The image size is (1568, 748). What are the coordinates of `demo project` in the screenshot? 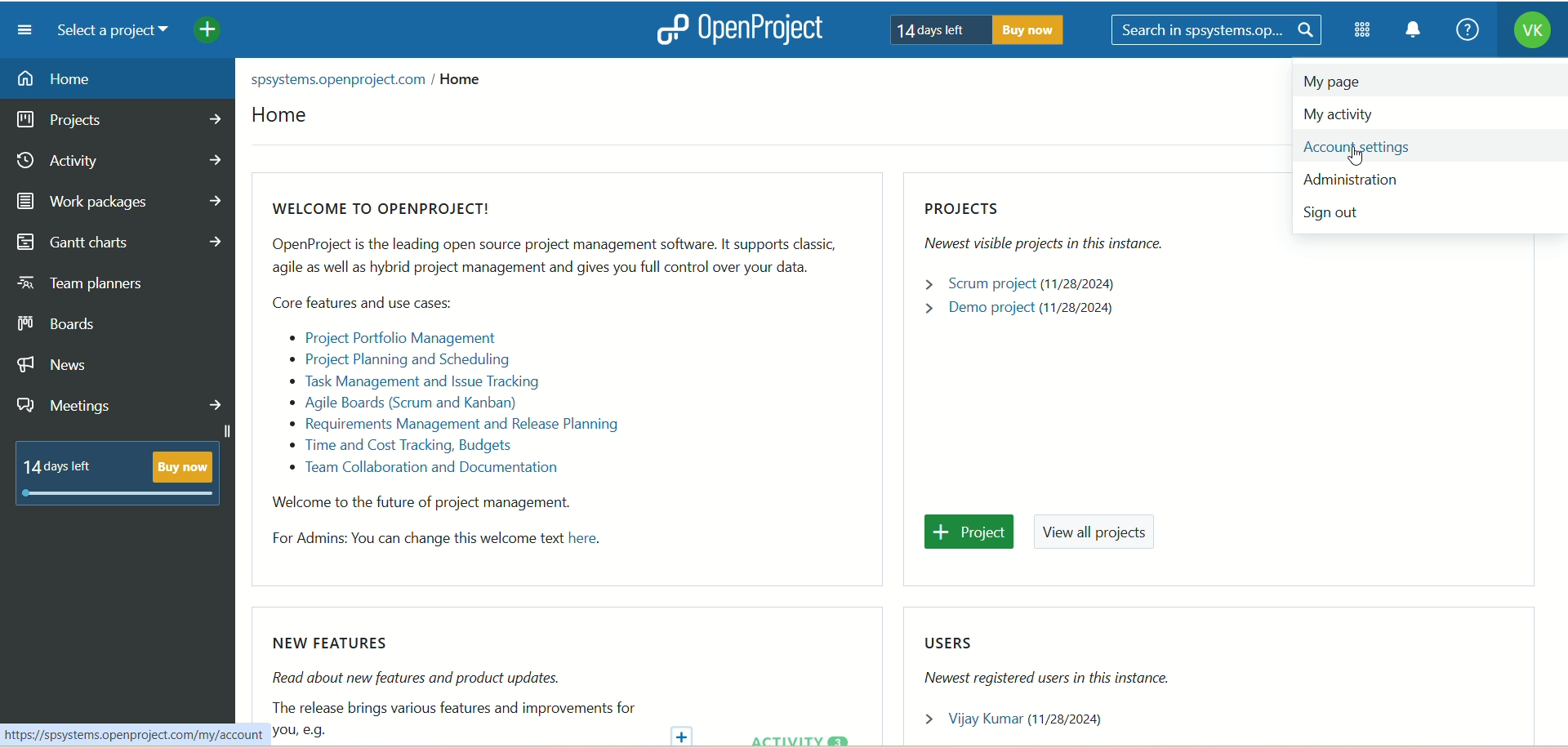 It's located at (1023, 309).